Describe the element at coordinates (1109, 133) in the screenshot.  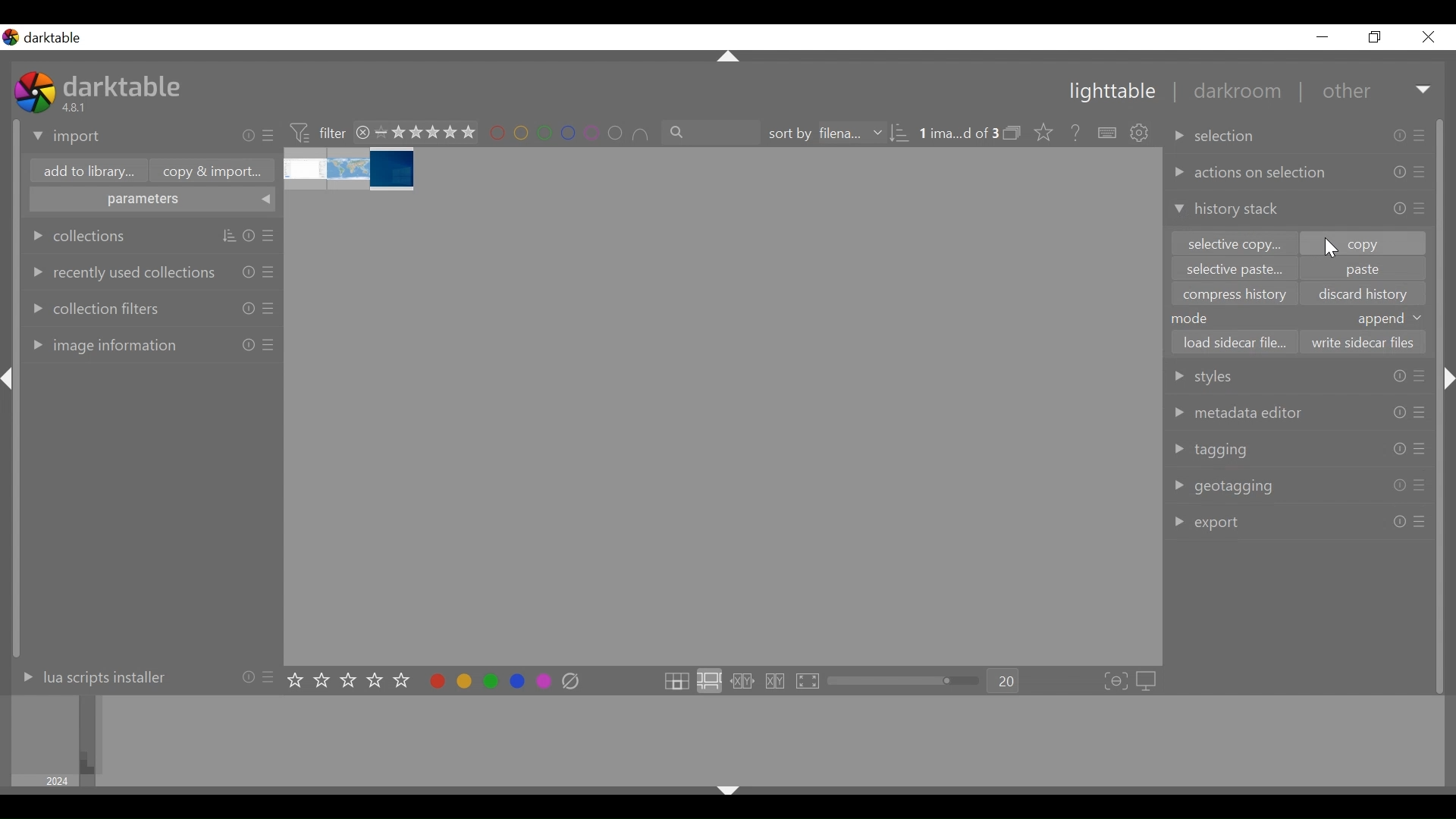
I see `define shortcuts` at that location.